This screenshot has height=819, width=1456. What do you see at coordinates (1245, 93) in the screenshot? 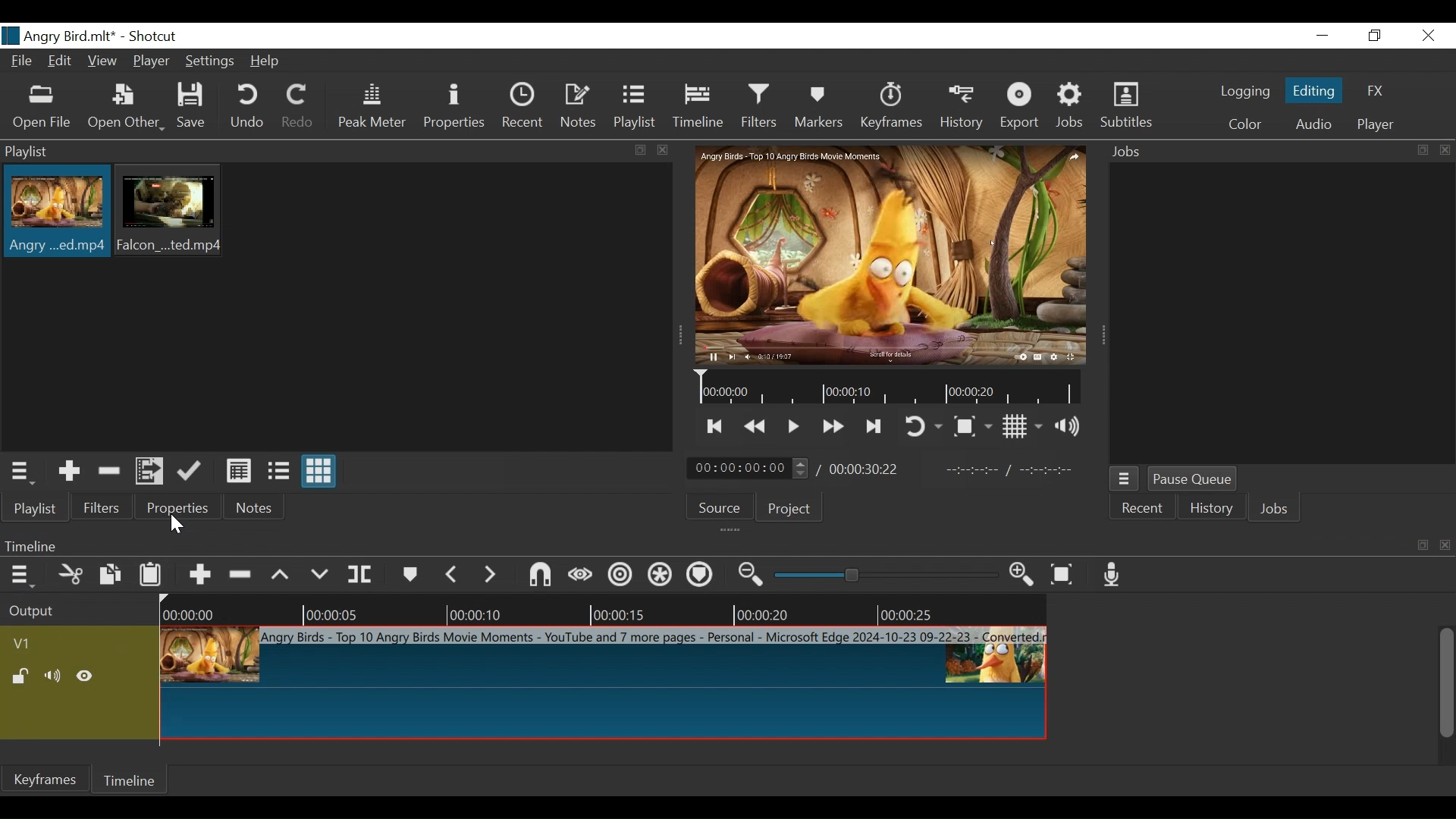
I see `logging` at bounding box center [1245, 93].